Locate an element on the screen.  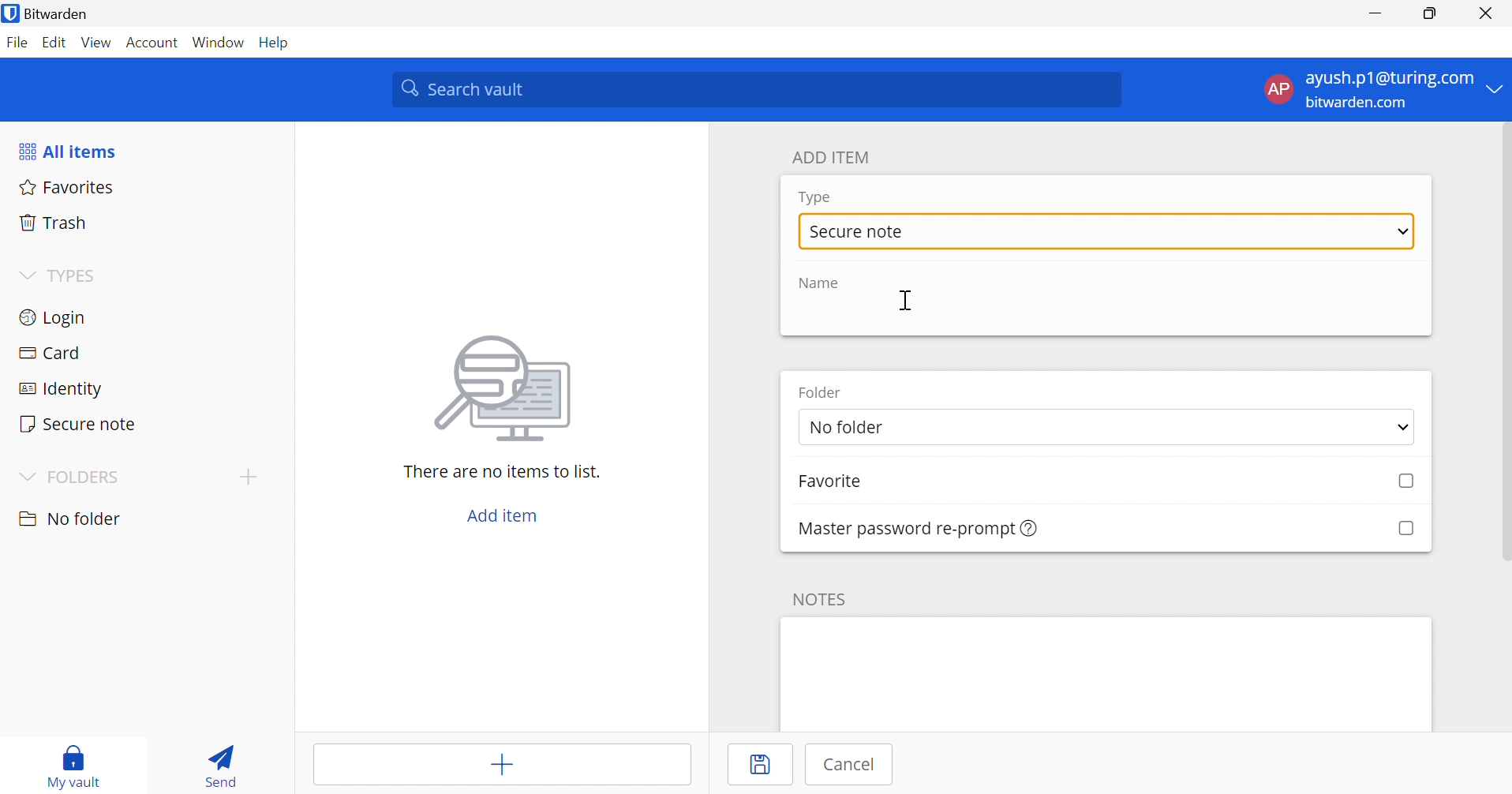
Cancel is located at coordinates (855, 765).